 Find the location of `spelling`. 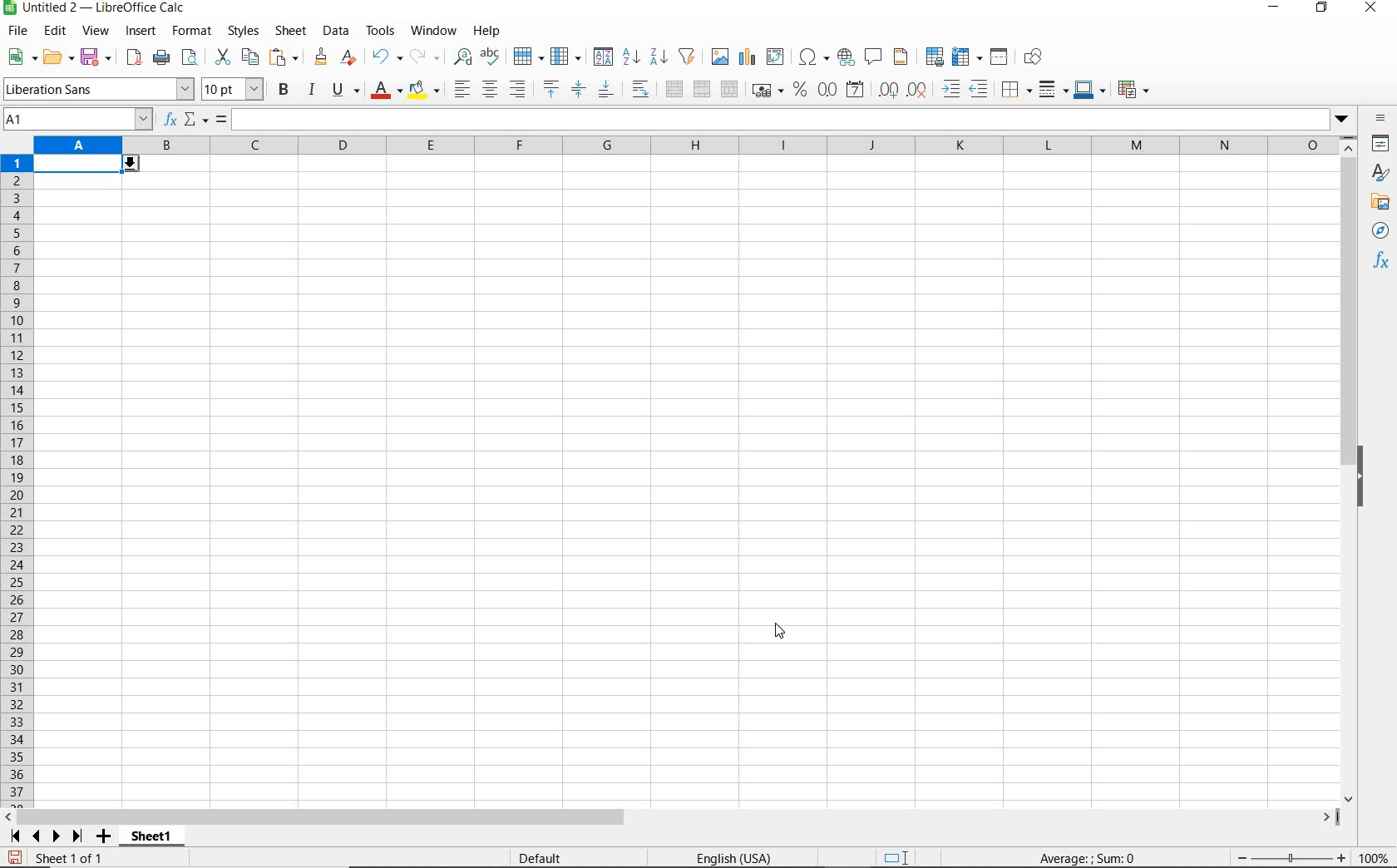

spelling is located at coordinates (492, 57).